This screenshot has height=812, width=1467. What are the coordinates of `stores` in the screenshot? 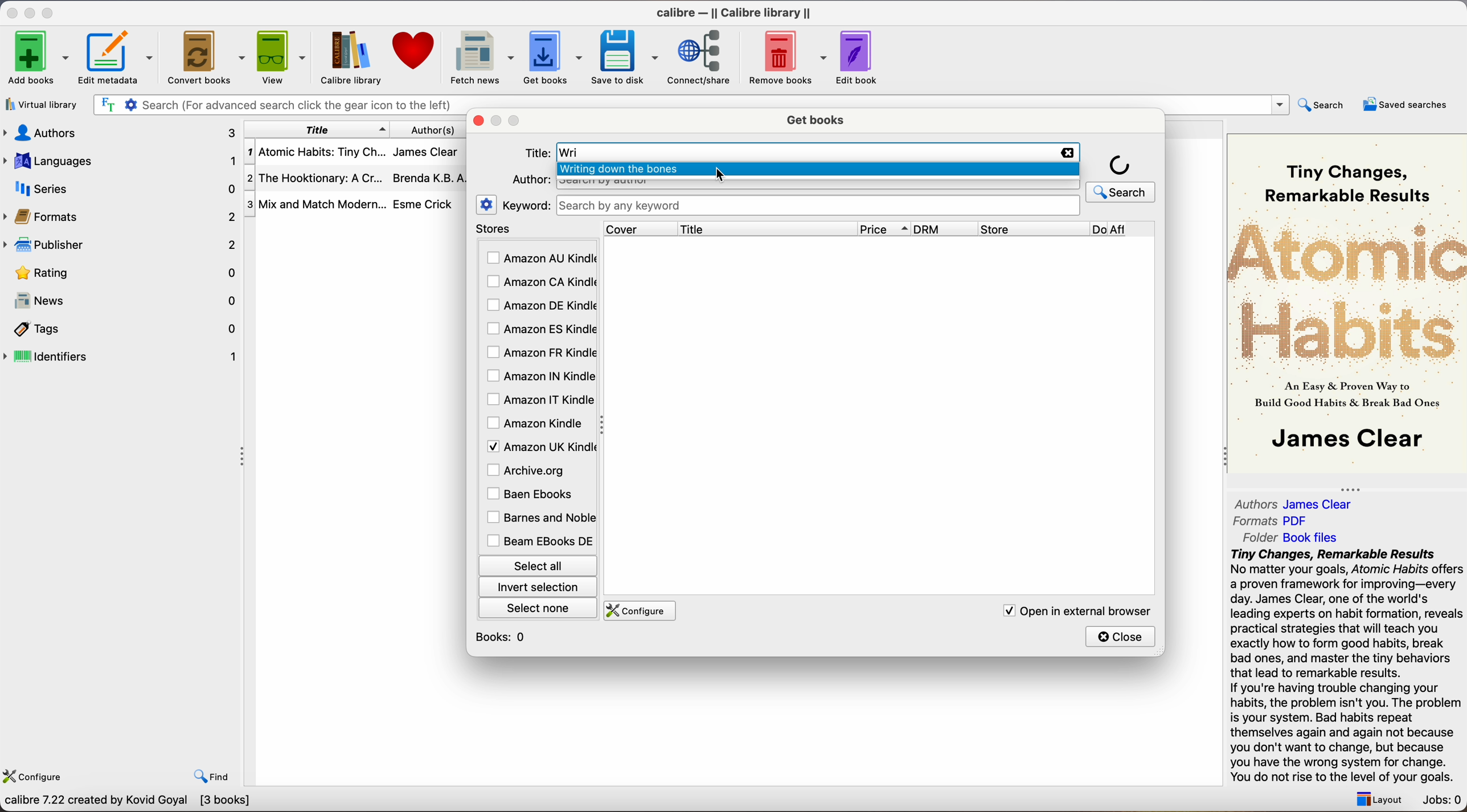 It's located at (536, 229).